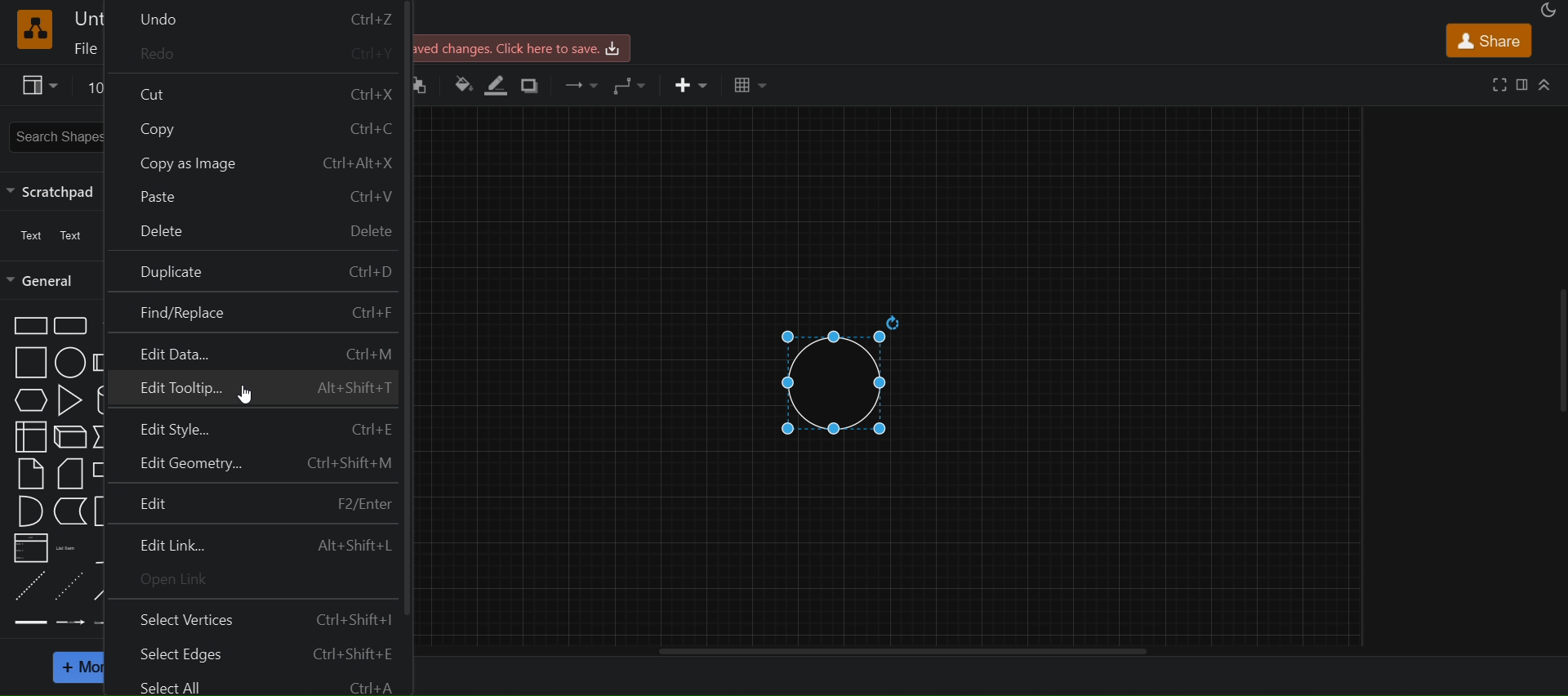  Describe the element at coordinates (258, 579) in the screenshot. I see `open link` at that location.